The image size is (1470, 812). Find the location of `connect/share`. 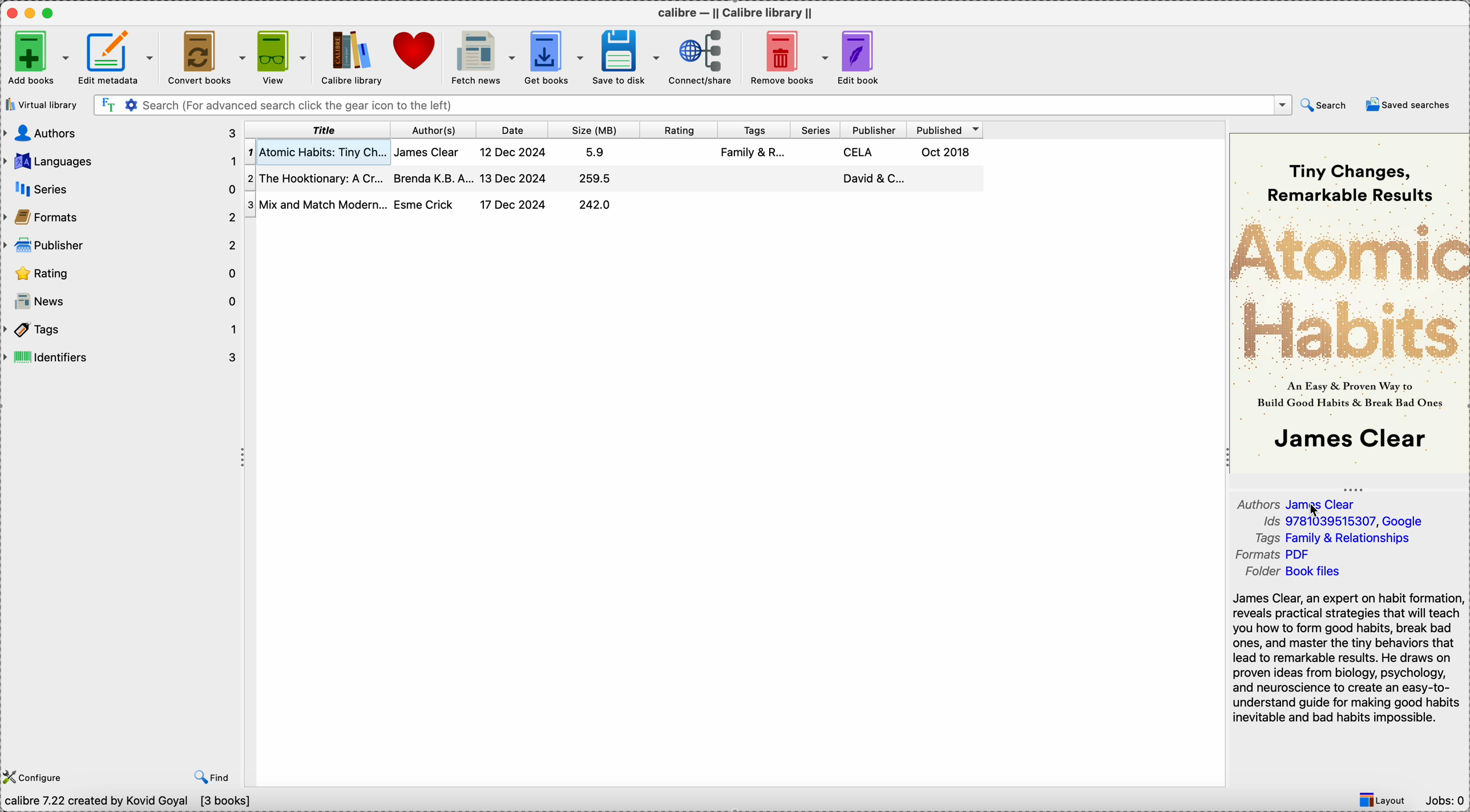

connect/share is located at coordinates (701, 58).